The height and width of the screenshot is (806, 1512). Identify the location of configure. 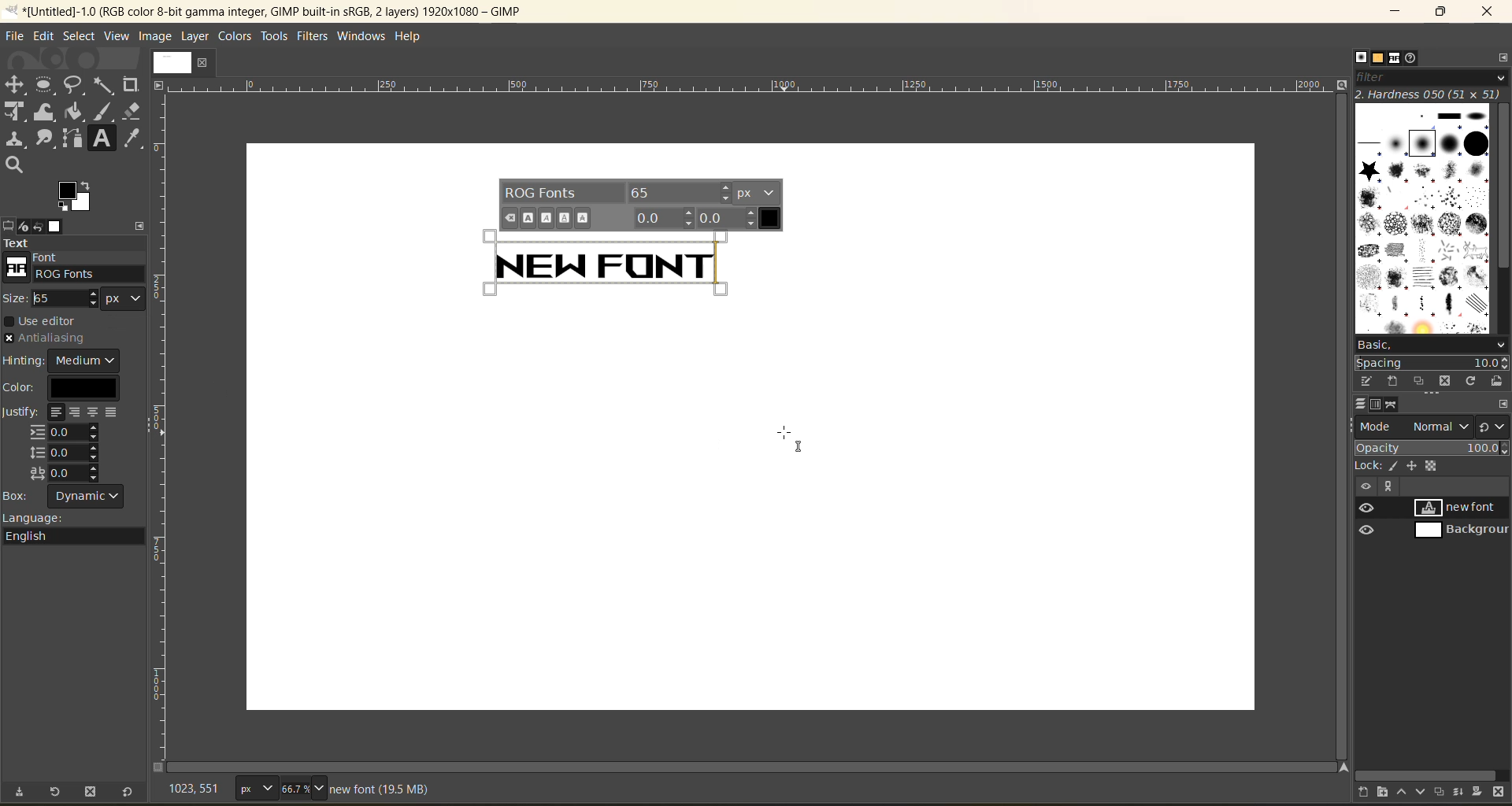
(1503, 404).